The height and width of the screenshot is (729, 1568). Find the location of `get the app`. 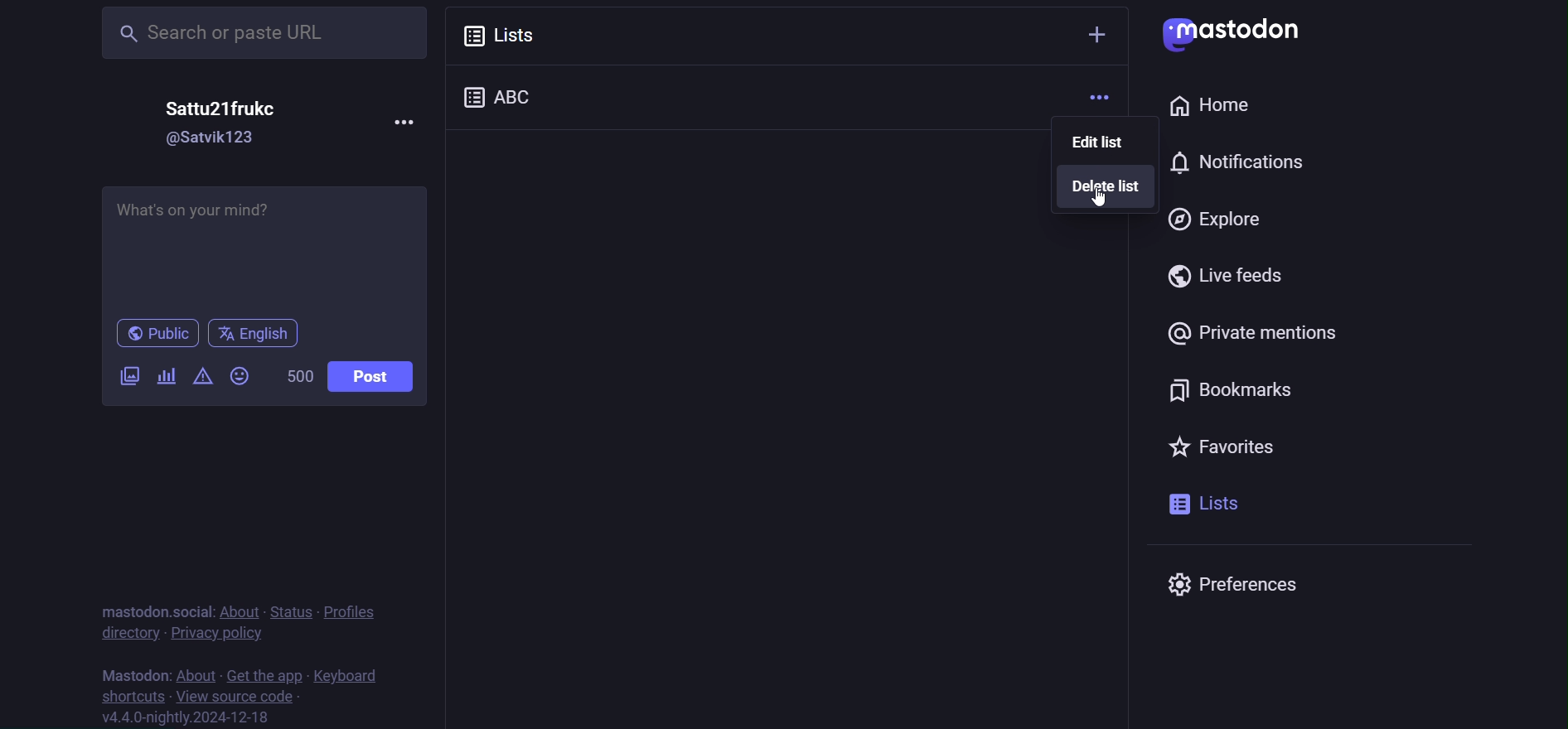

get the app is located at coordinates (264, 672).